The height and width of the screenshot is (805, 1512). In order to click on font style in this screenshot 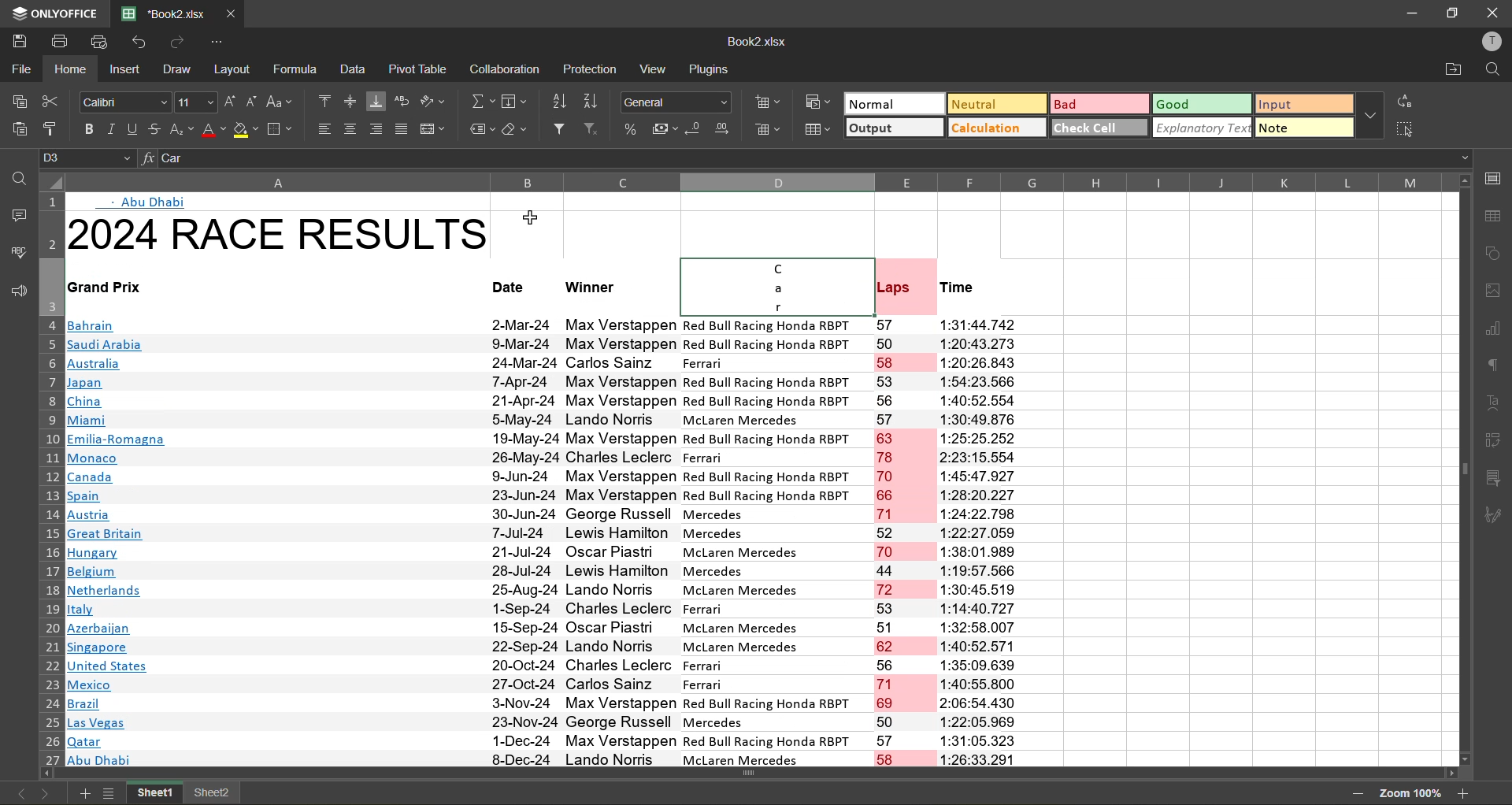, I will do `click(126, 103)`.